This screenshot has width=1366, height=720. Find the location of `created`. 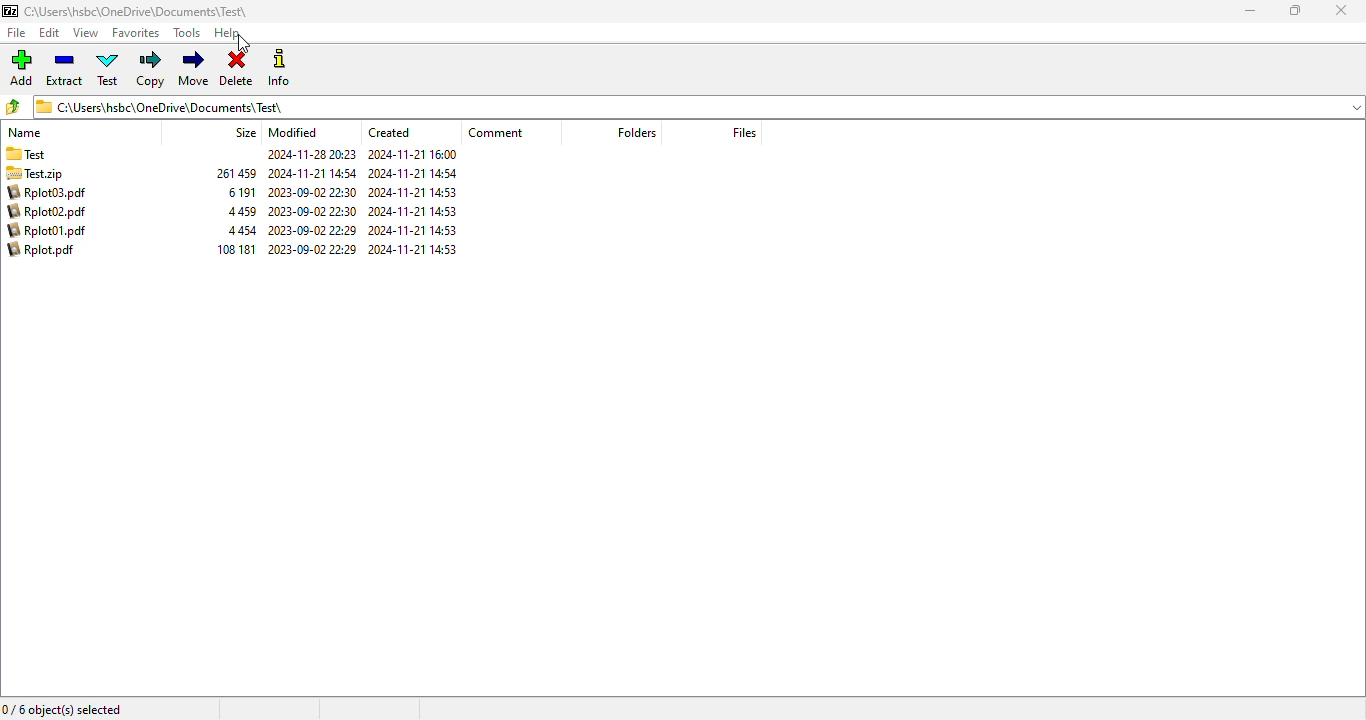

created is located at coordinates (388, 132).